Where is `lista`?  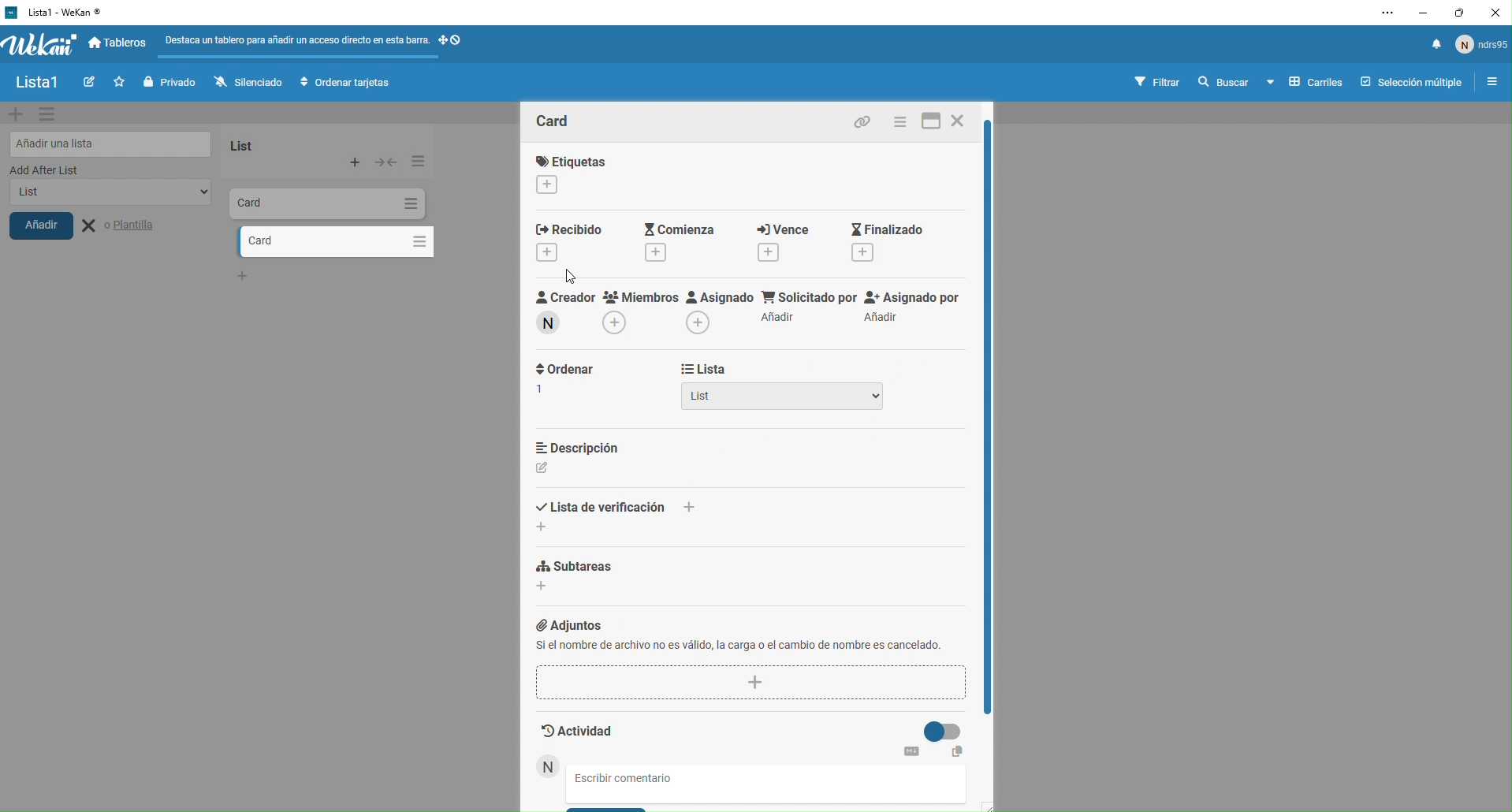 lista is located at coordinates (744, 370).